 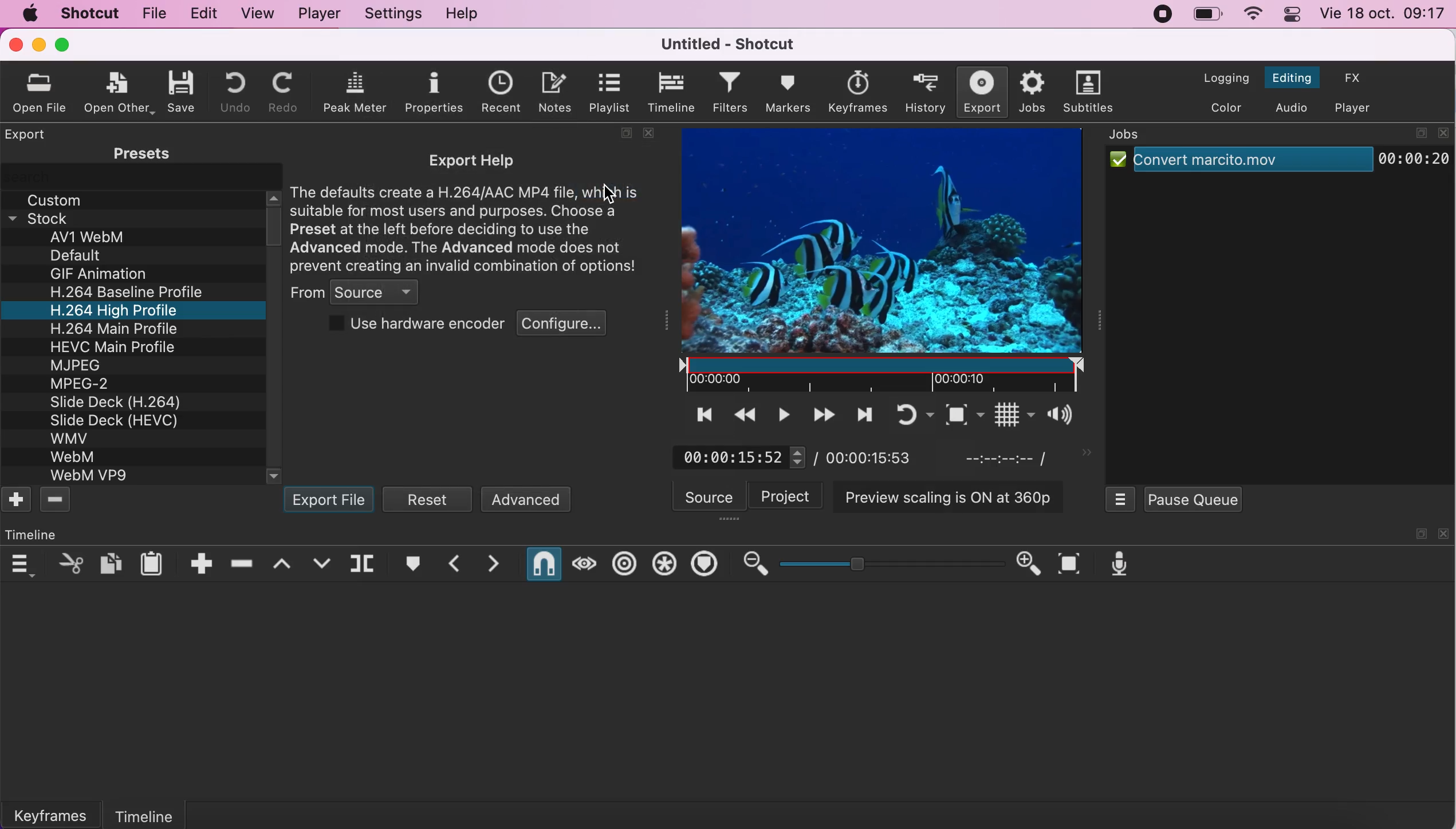 What do you see at coordinates (464, 15) in the screenshot?
I see `help` at bounding box center [464, 15].